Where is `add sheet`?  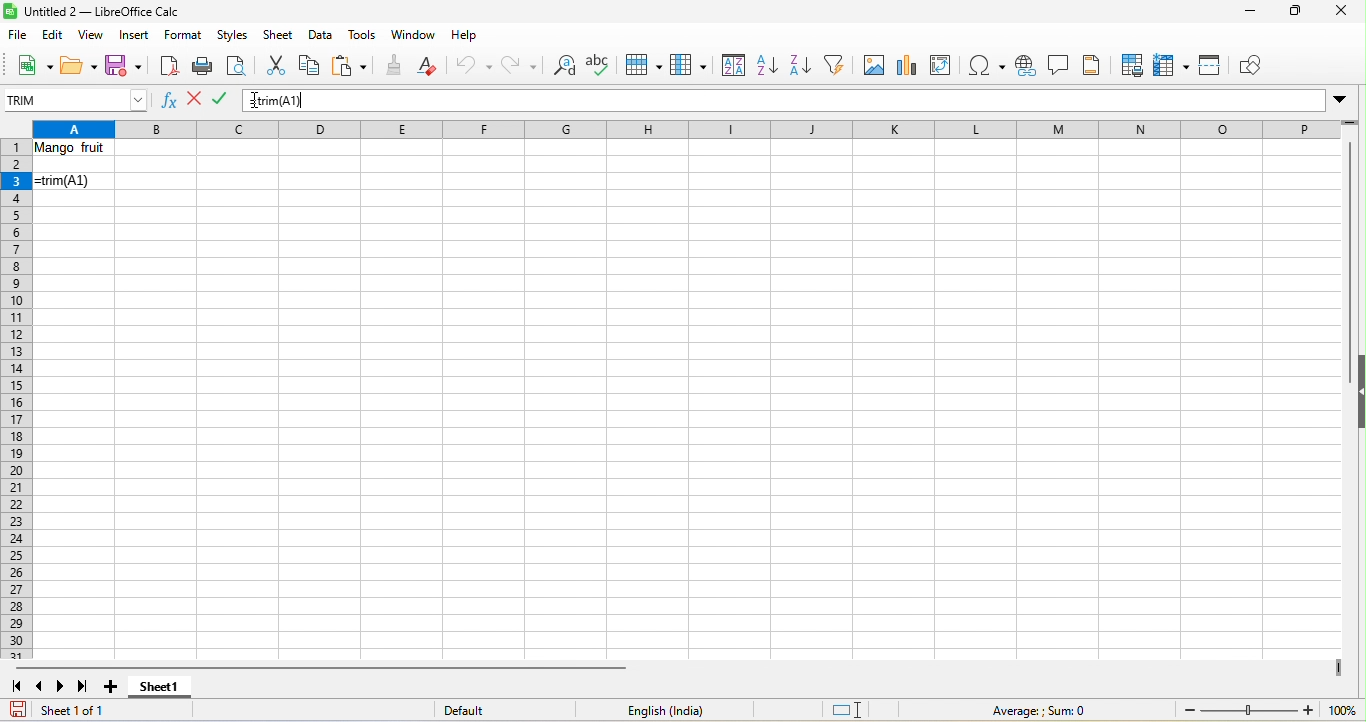 add sheet is located at coordinates (117, 687).